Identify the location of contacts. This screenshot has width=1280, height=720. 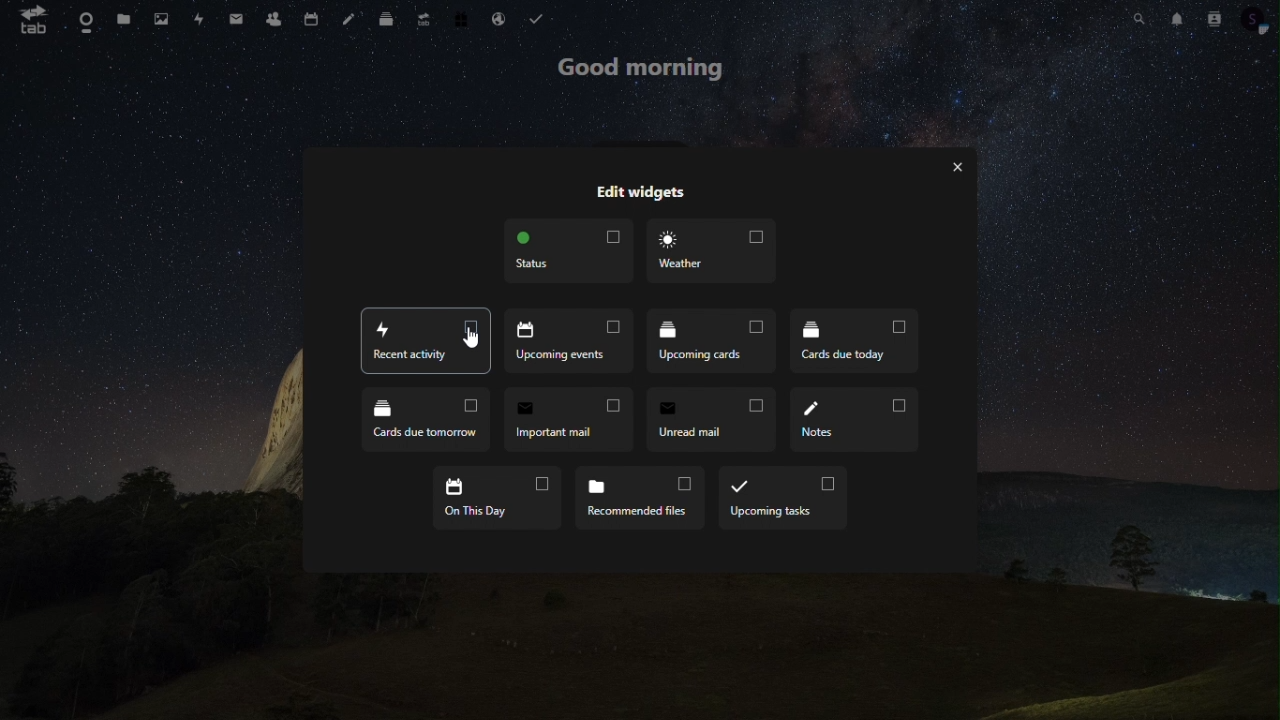
(1213, 20).